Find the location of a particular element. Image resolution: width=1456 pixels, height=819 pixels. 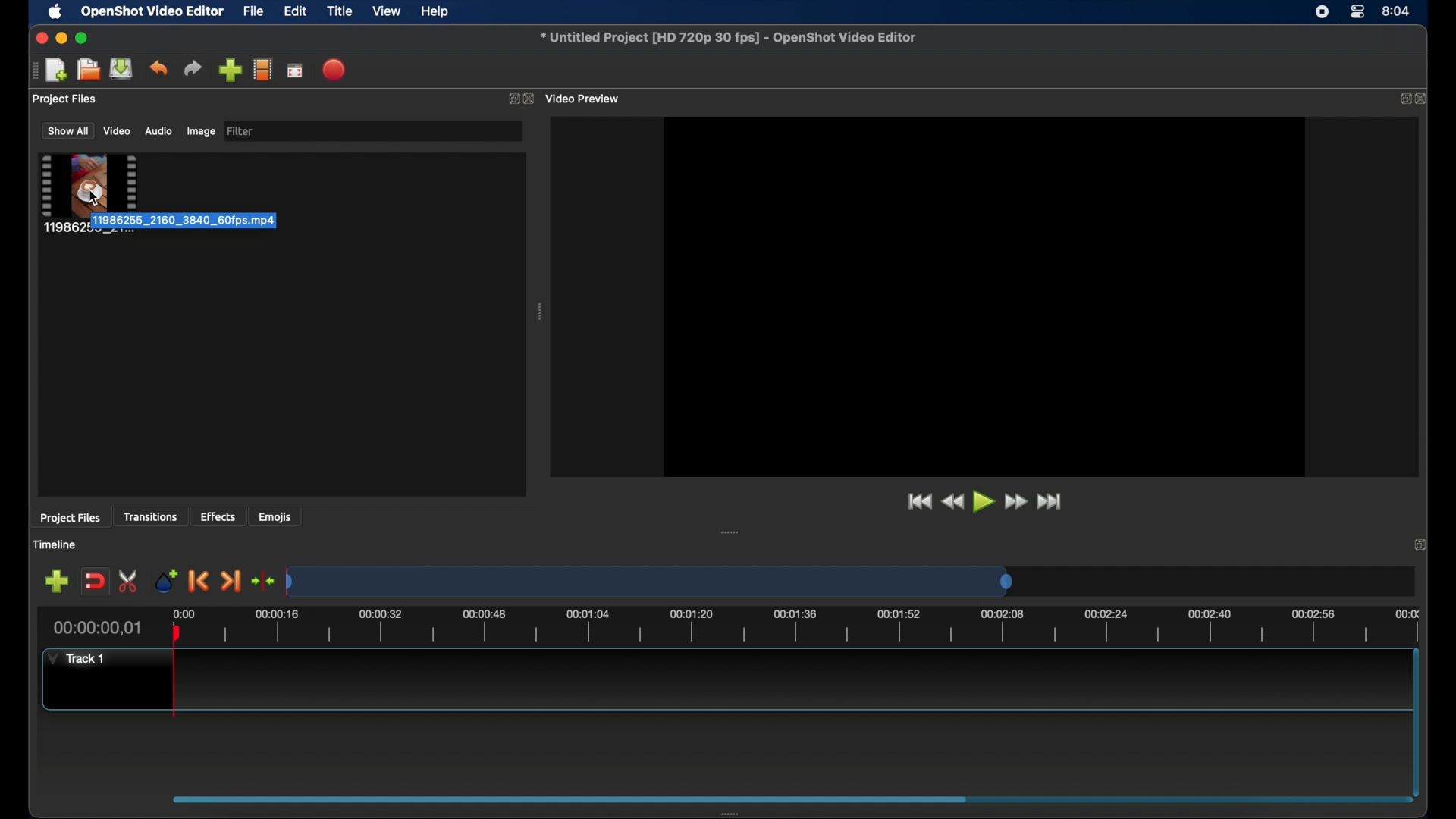

transitions is located at coordinates (150, 518).